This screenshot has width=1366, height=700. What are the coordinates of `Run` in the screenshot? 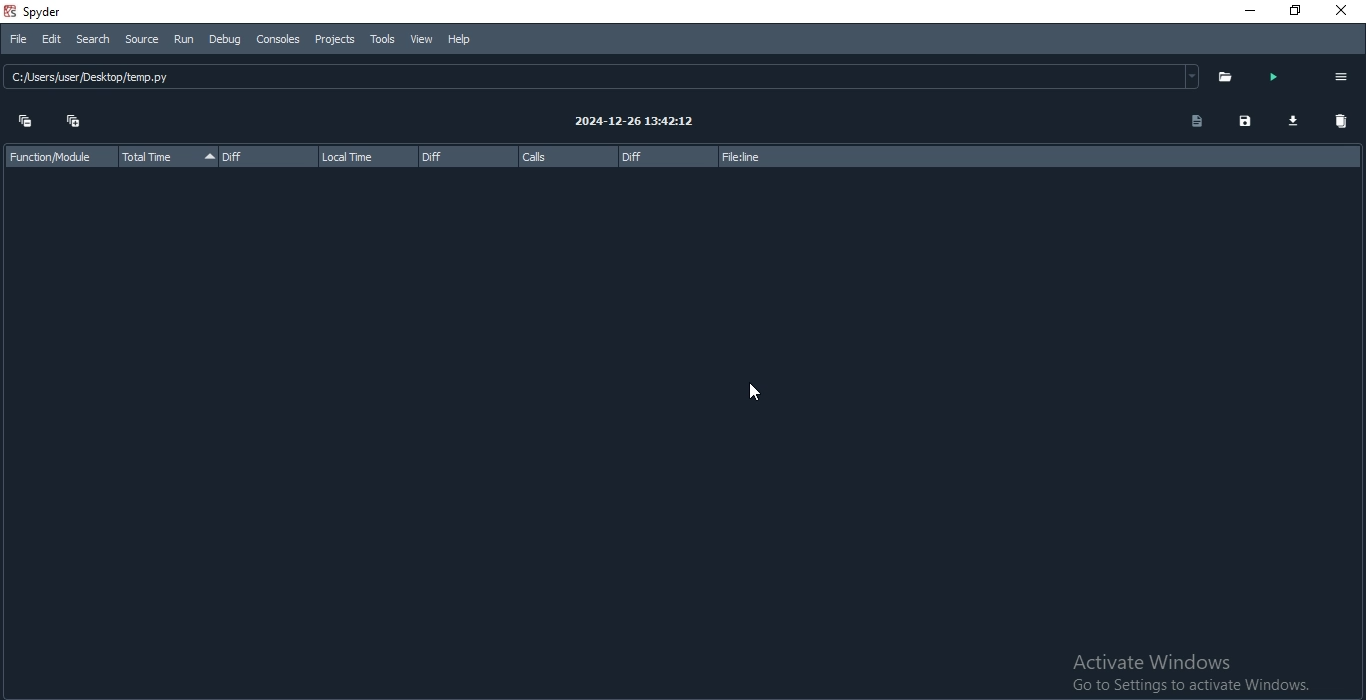 It's located at (186, 42).